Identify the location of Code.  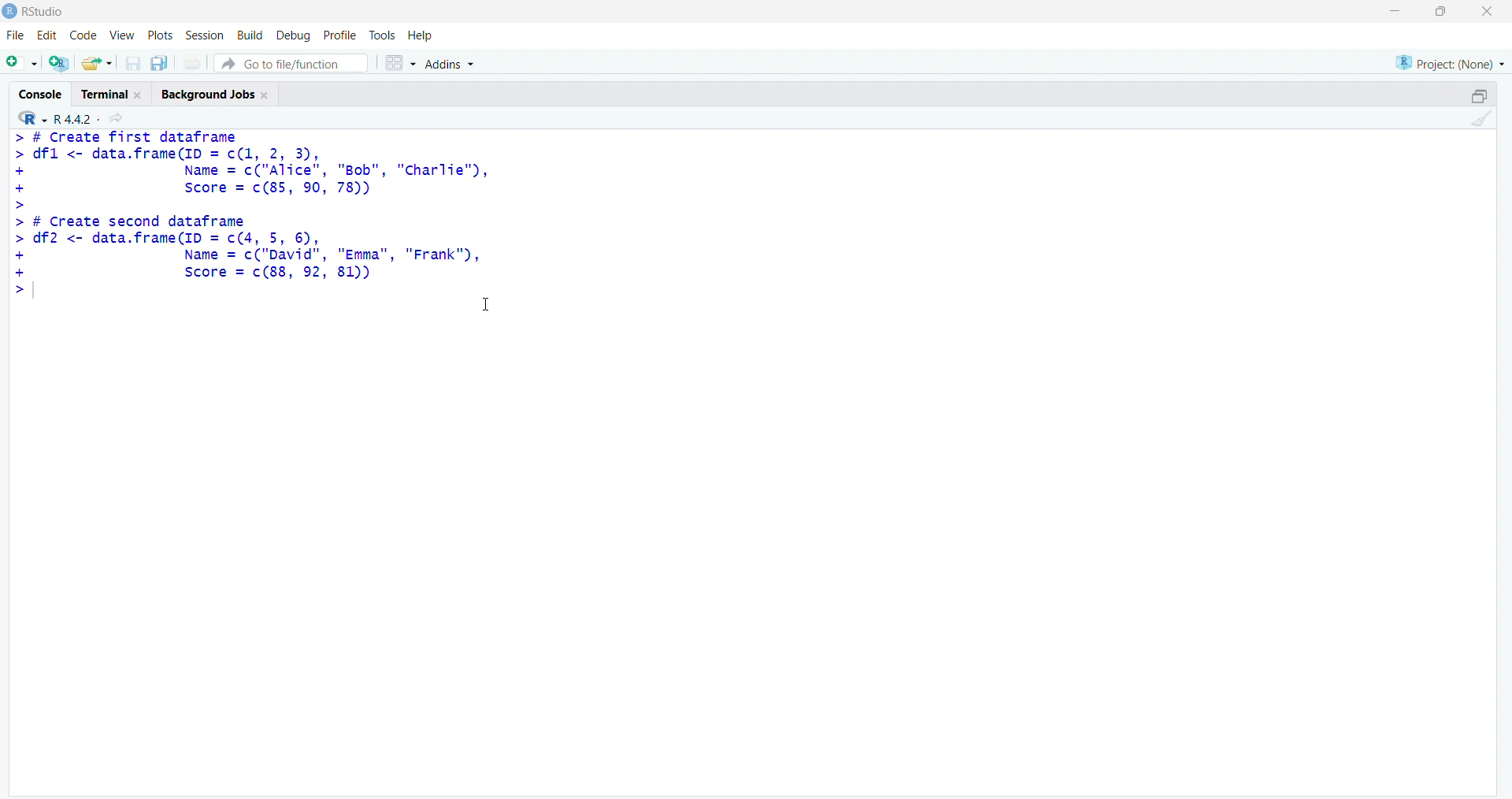
(83, 35).